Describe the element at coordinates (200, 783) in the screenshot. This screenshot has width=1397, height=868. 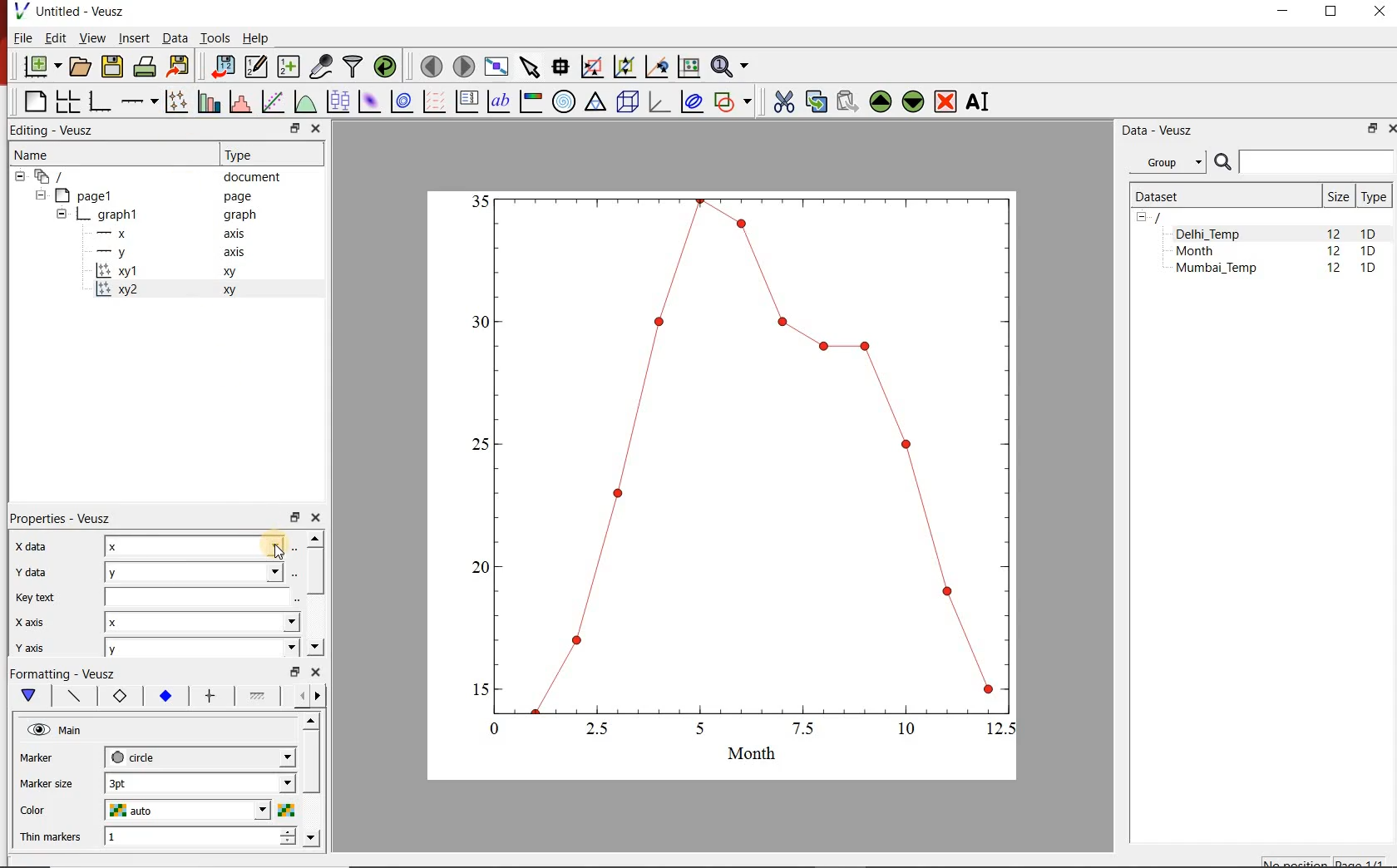
I see `3pt` at that location.